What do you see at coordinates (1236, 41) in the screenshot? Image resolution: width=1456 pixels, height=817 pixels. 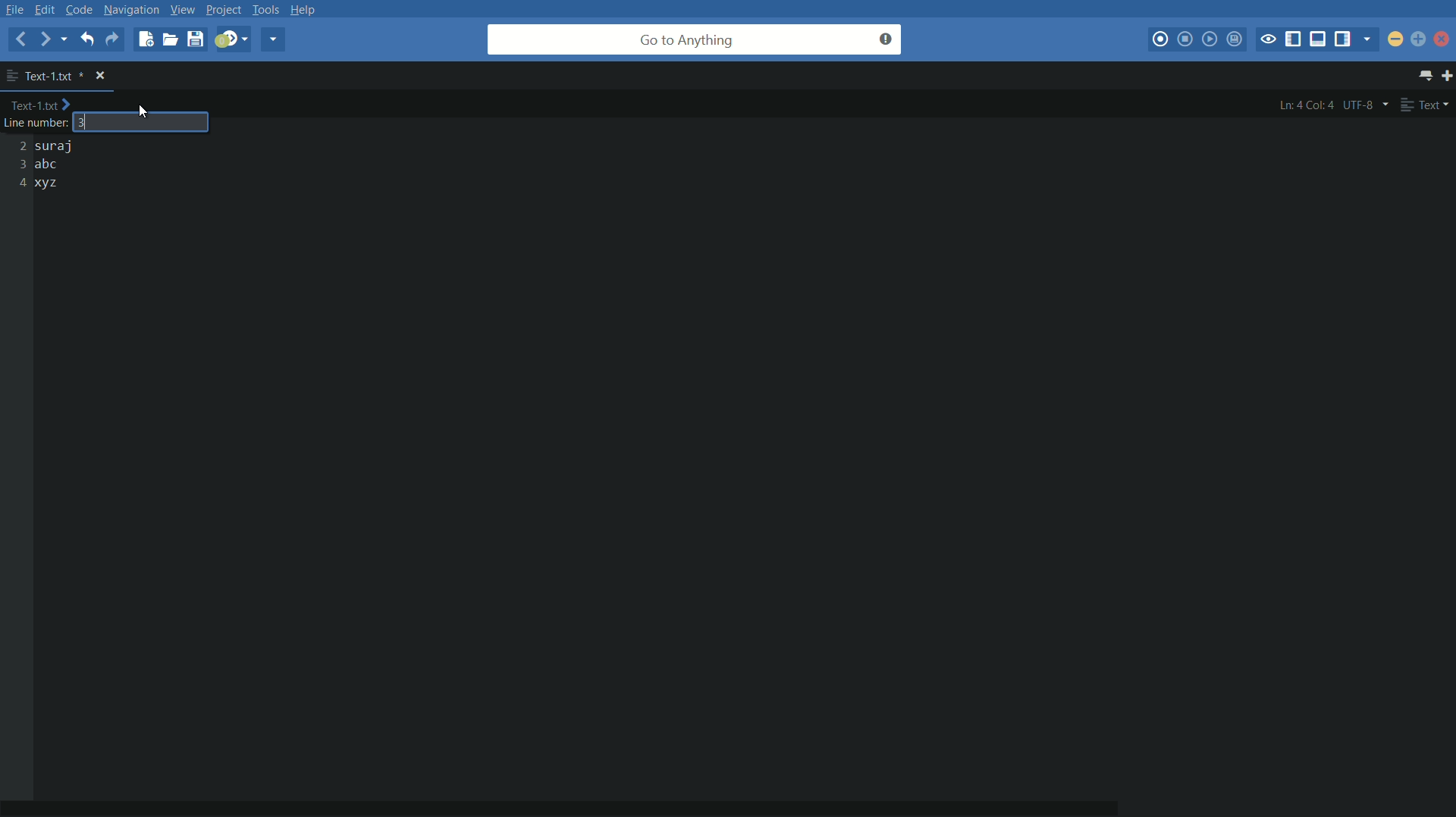 I see `save macro to toolbox` at bounding box center [1236, 41].